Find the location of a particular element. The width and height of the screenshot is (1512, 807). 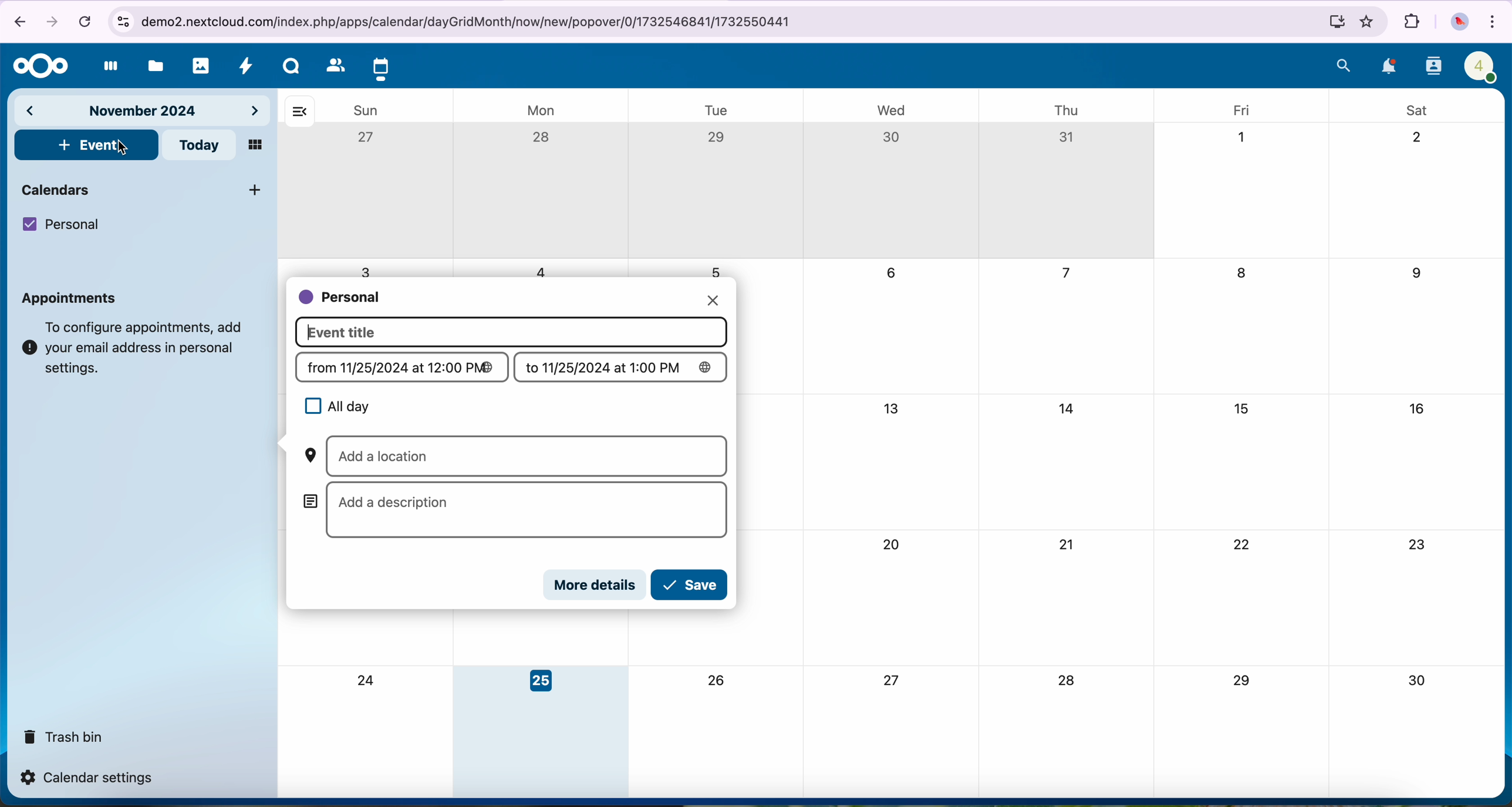

more details is located at coordinates (596, 585).